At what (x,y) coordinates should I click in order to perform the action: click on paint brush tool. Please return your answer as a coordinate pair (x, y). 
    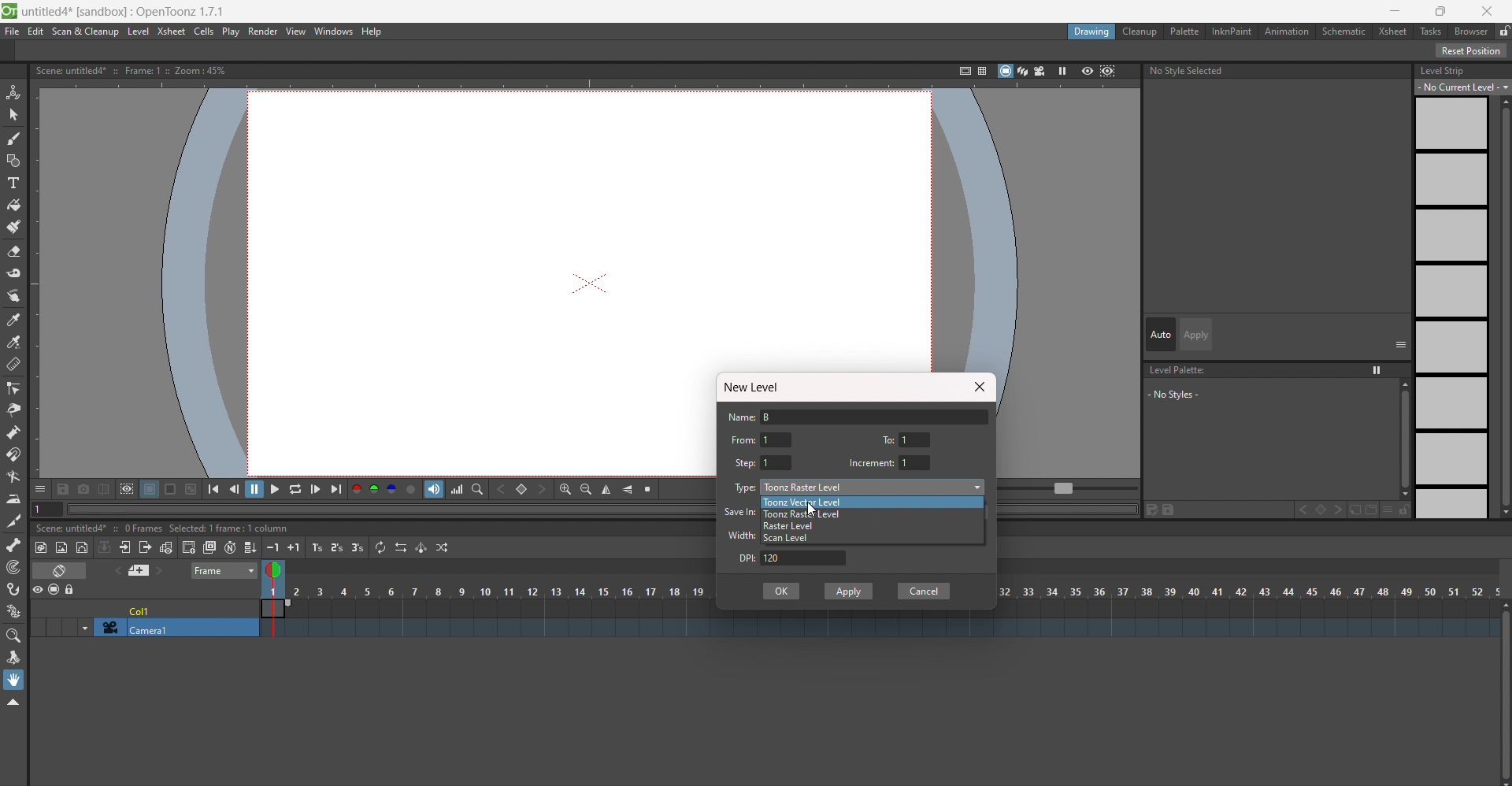
    Looking at the image, I should click on (14, 226).